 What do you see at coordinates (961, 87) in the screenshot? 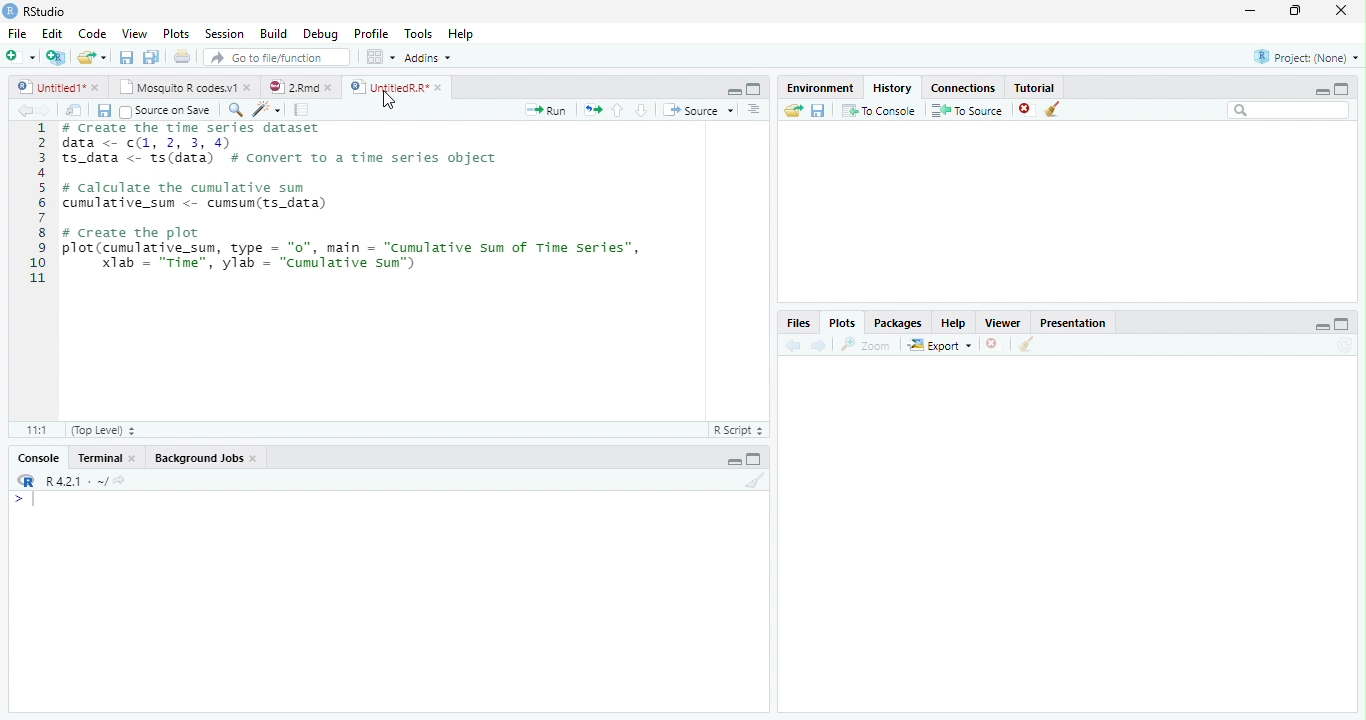
I see `Connections` at bounding box center [961, 87].